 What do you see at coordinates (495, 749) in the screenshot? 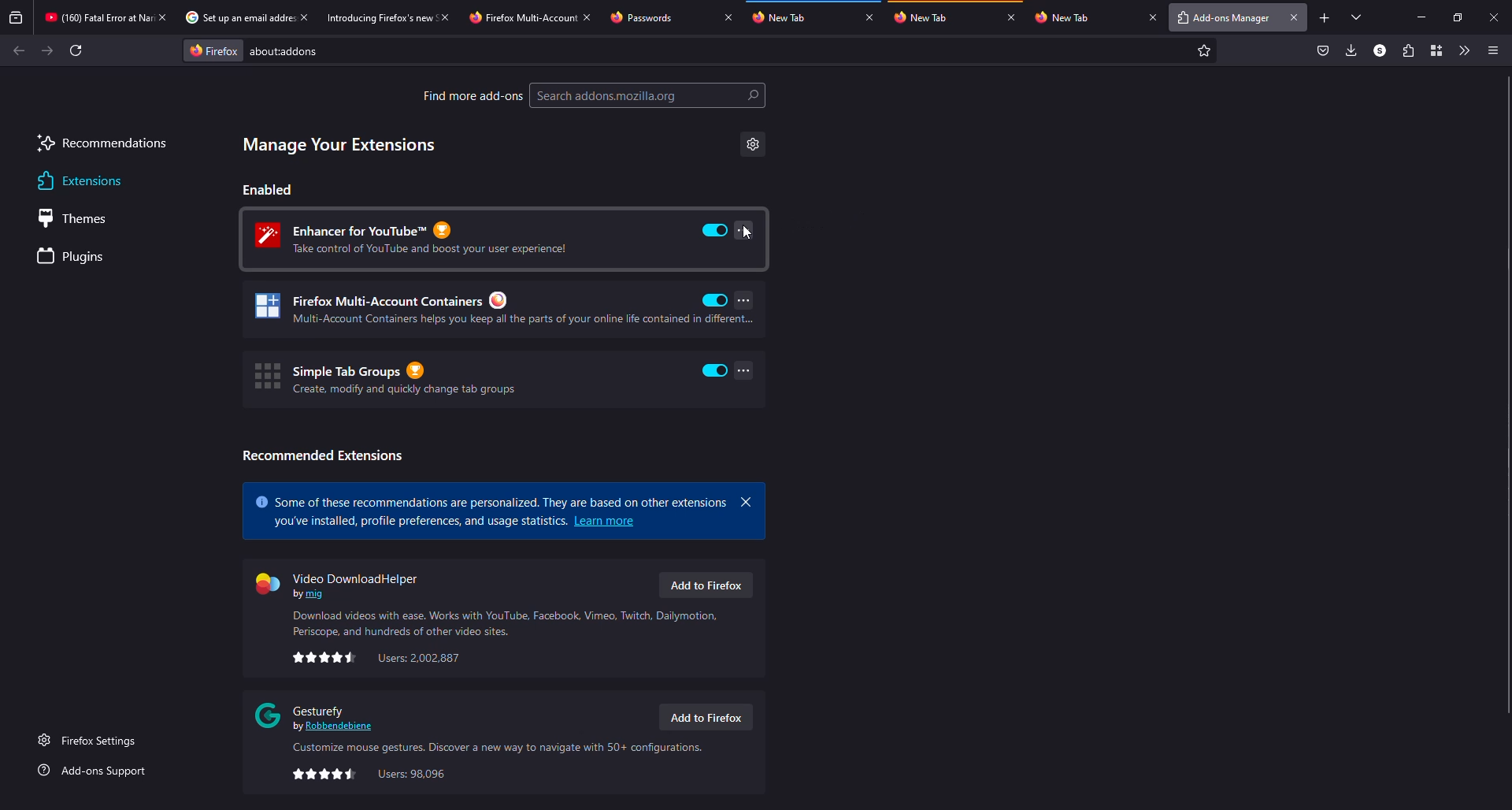
I see `info` at bounding box center [495, 749].